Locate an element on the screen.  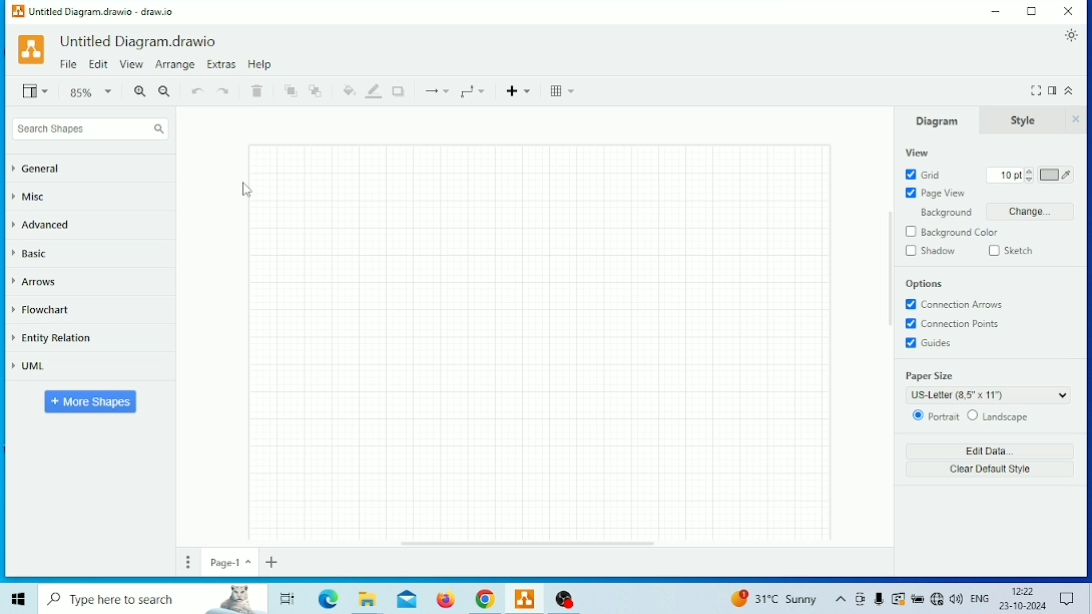
OBS Studio is located at coordinates (566, 599).